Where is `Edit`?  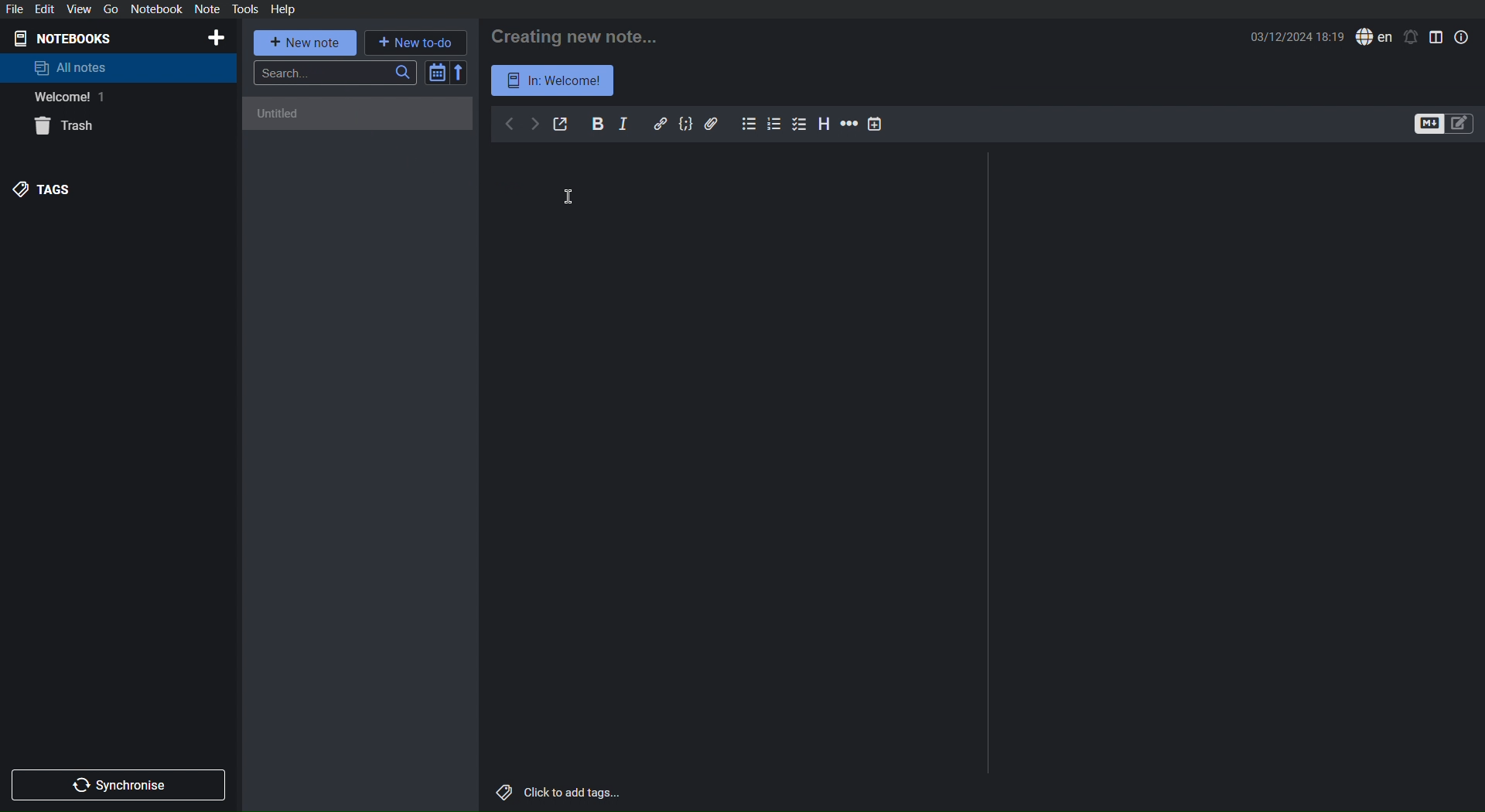
Edit is located at coordinates (47, 9).